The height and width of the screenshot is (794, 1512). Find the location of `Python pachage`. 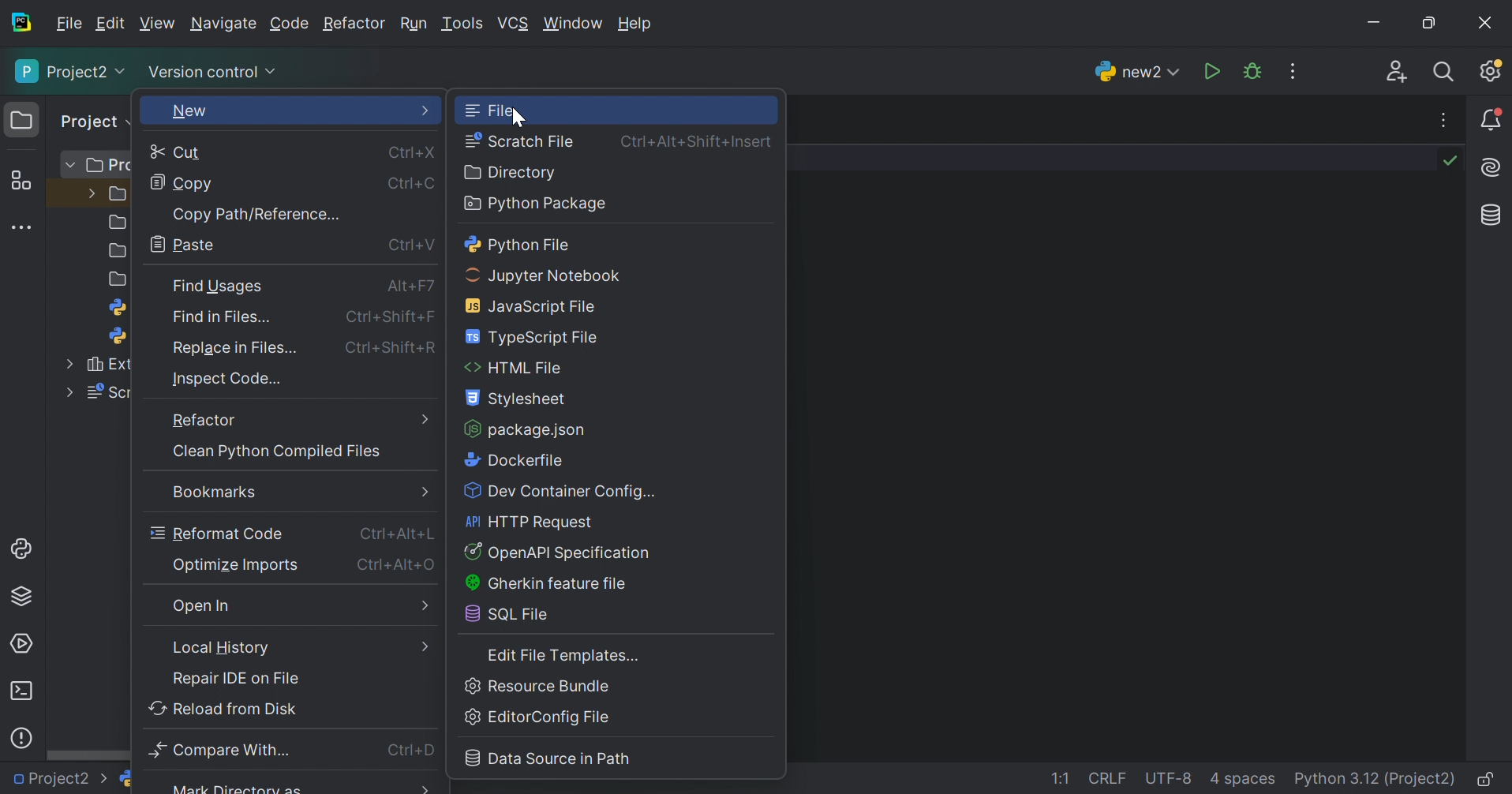

Python pachage is located at coordinates (535, 204).